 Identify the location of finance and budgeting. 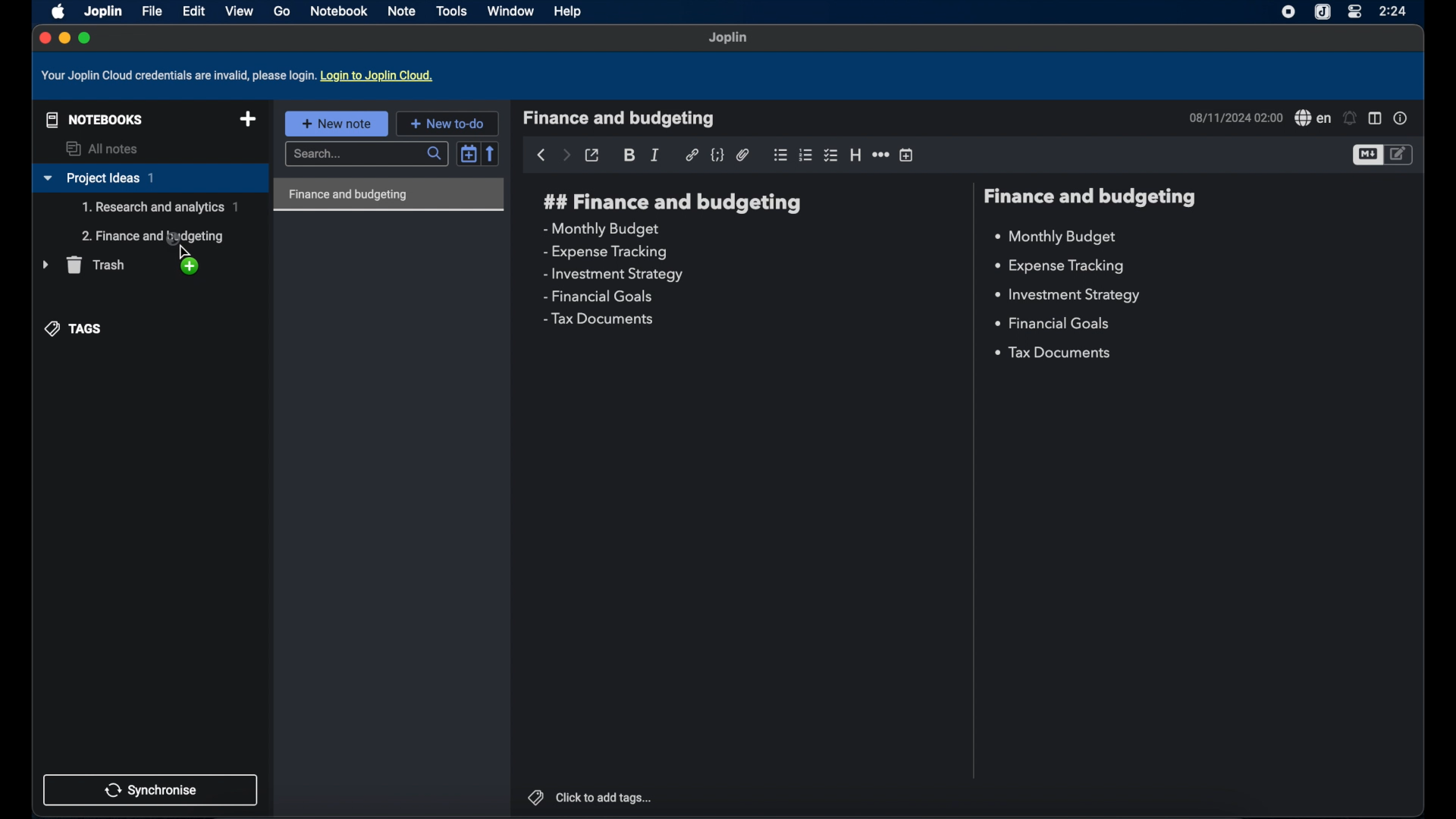
(620, 118).